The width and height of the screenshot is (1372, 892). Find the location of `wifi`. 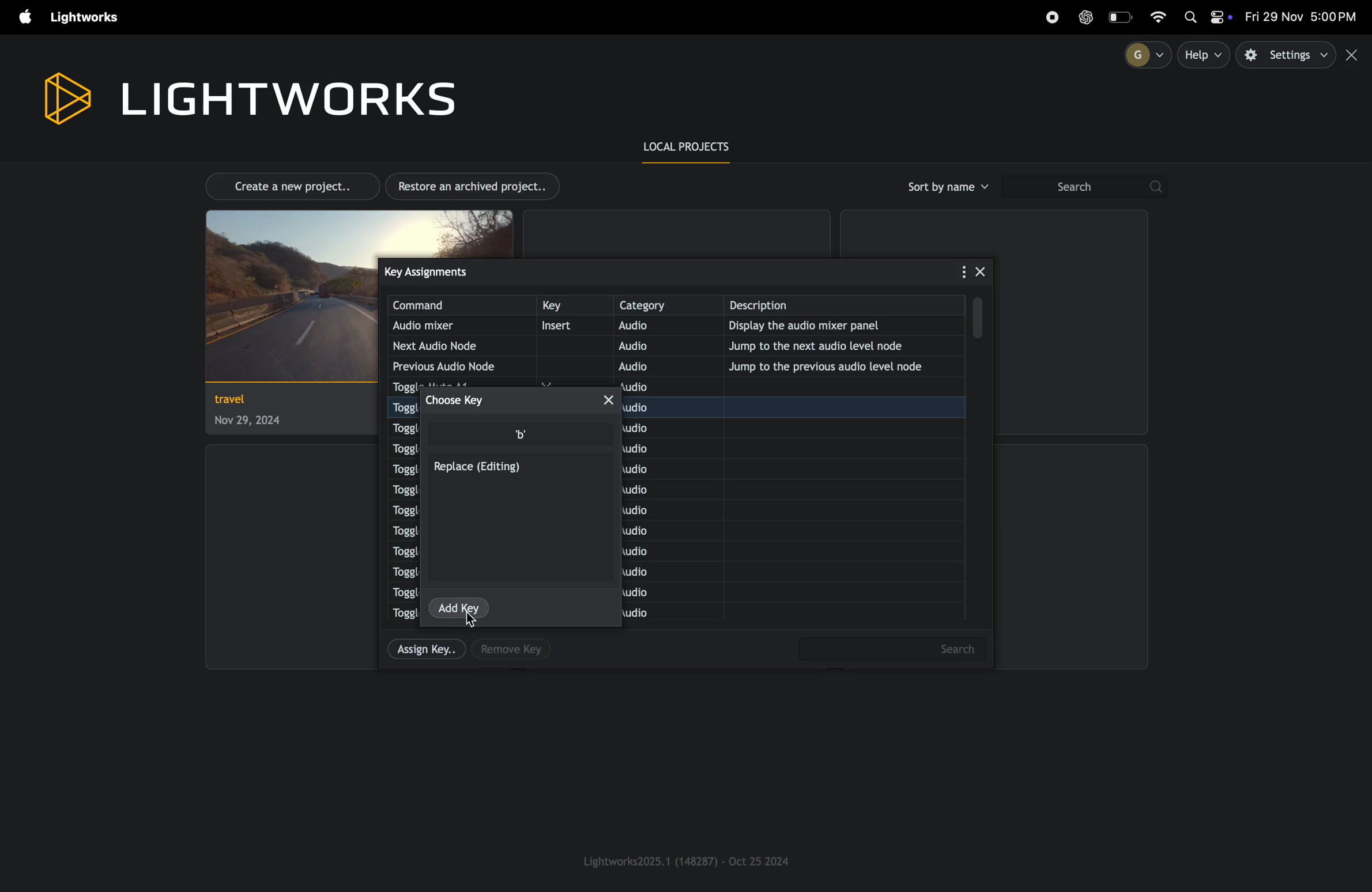

wifi is located at coordinates (1164, 16).